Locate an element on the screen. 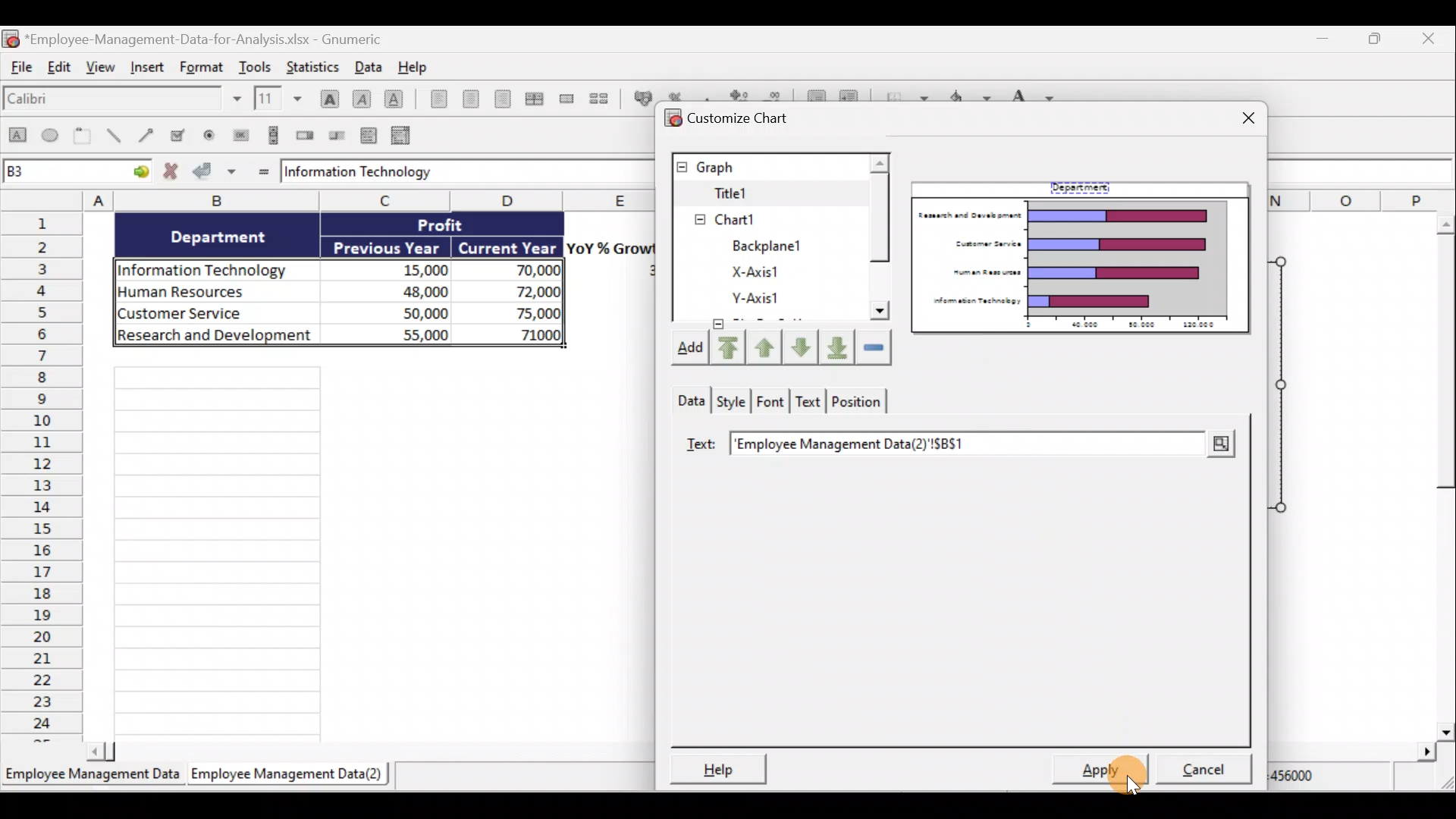 The image size is (1456, 819). cursor is located at coordinates (1131, 785).